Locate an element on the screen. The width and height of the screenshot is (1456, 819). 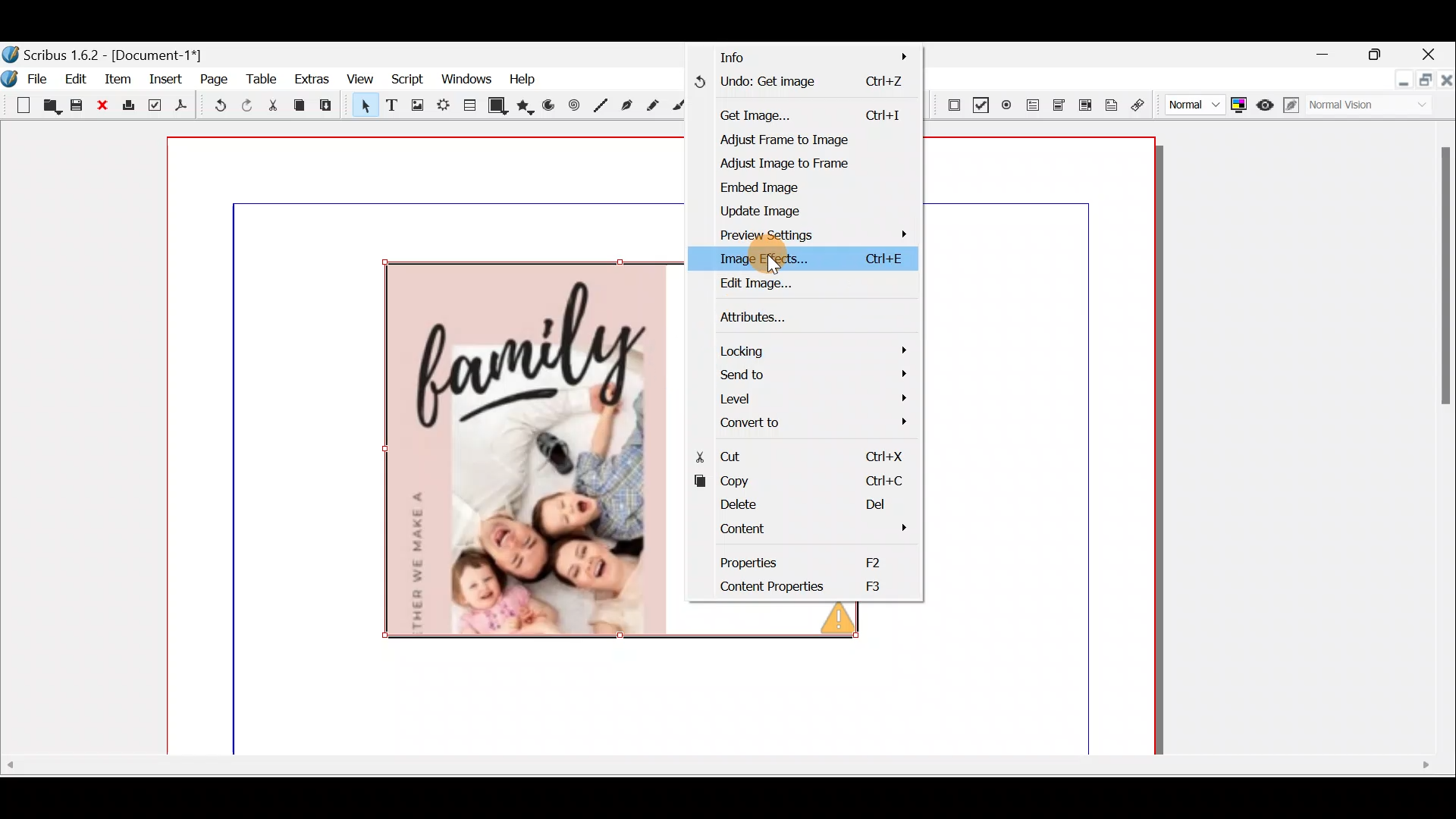
Paste is located at coordinates (329, 107).